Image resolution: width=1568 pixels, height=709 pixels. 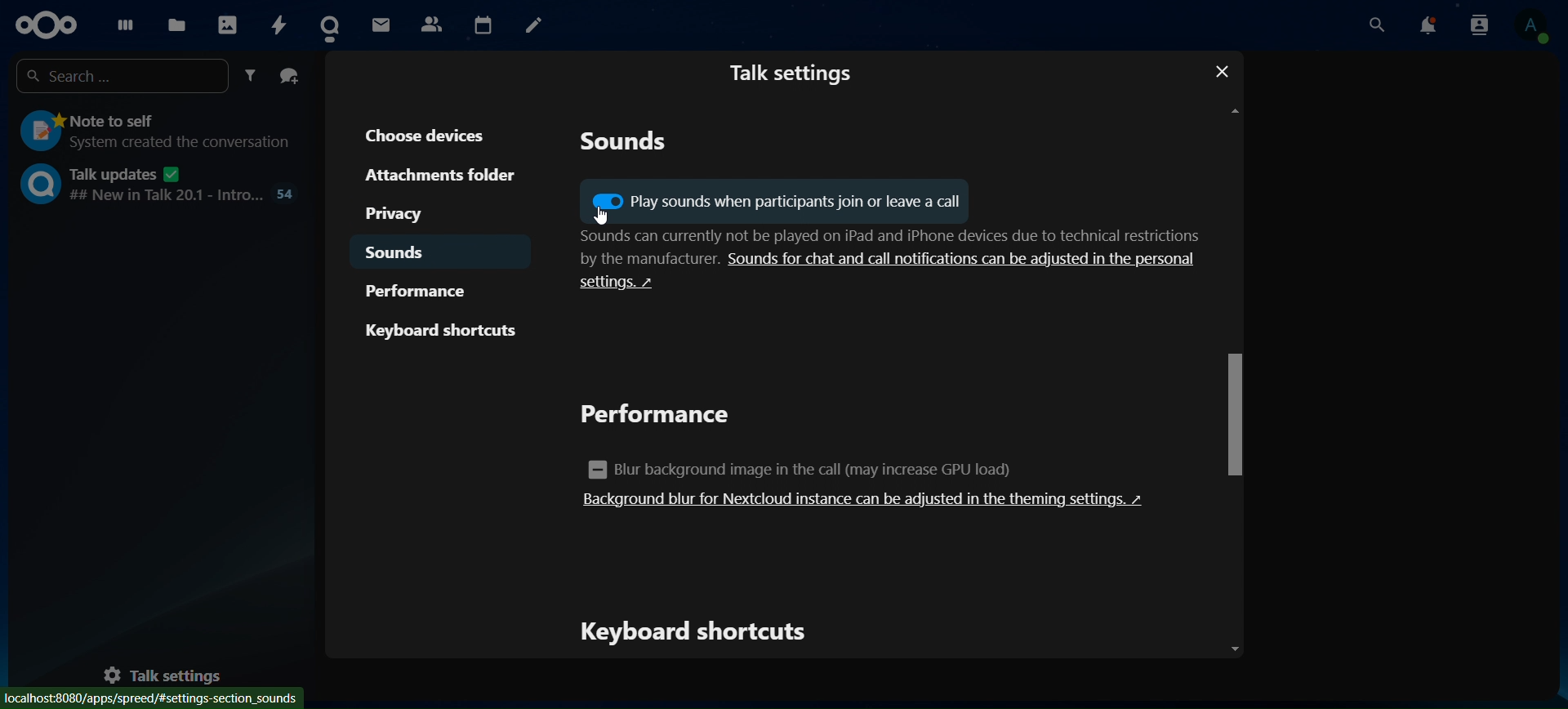 What do you see at coordinates (121, 21) in the screenshot?
I see `dashboard` at bounding box center [121, 21].